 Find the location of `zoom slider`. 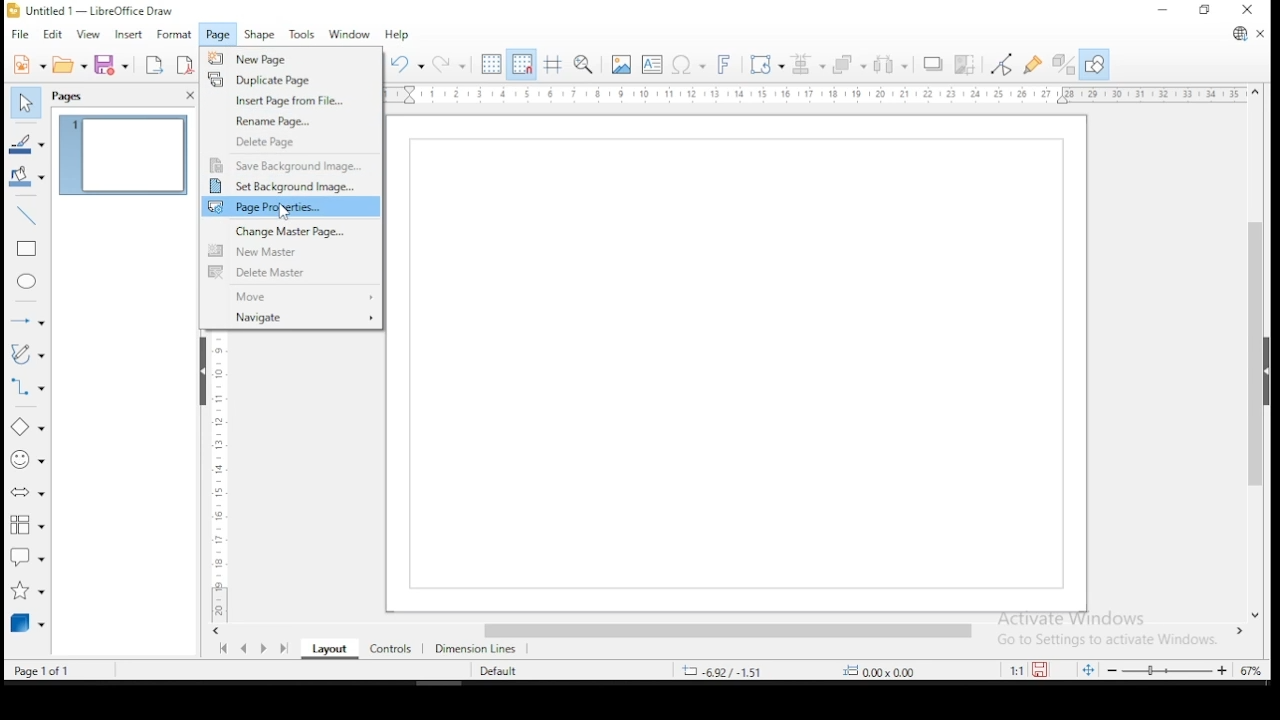

zoom slider is located at coordinates (1171, 669).